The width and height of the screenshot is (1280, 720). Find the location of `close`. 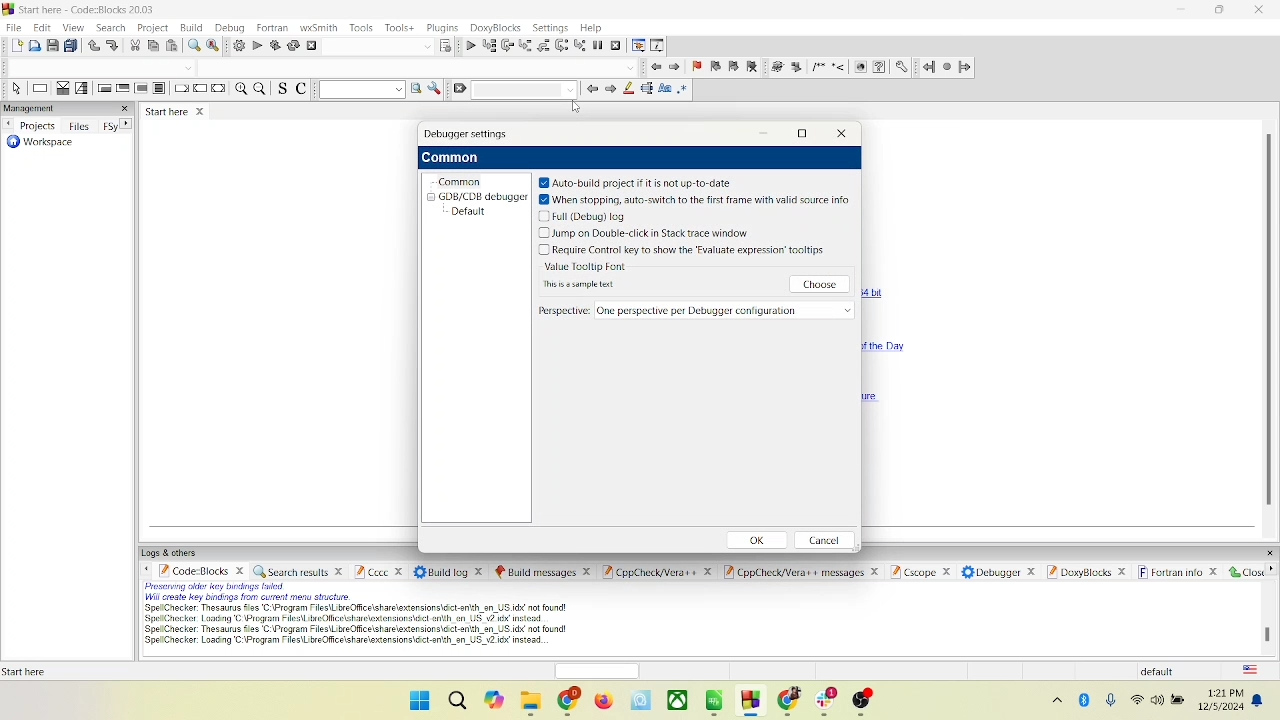

close is located at coordinates (846, 135).